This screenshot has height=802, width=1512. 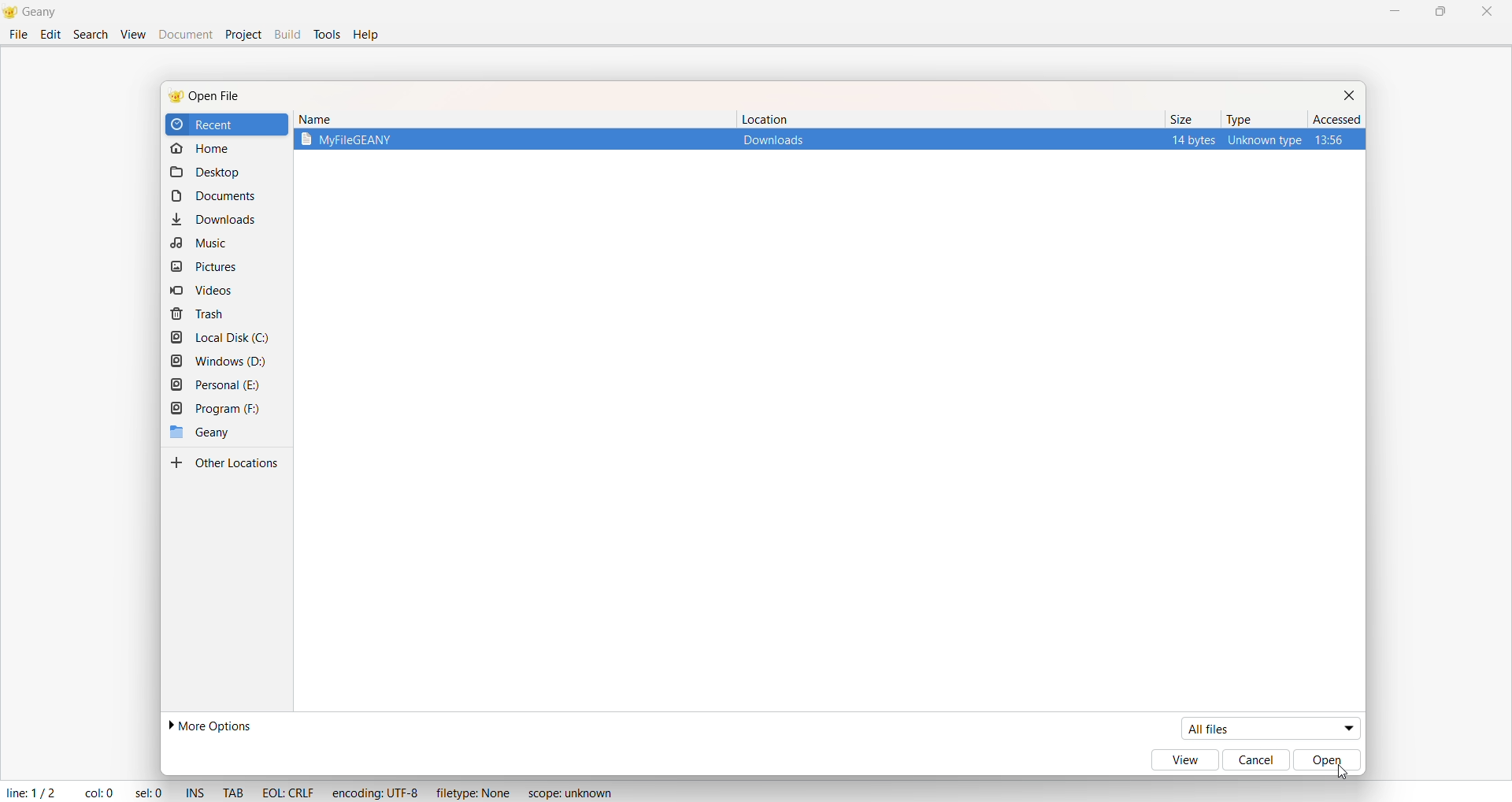 What do you see at coordinates (195, 291) in the screenshot?
I see `videos` at bounding box center [195, 291].